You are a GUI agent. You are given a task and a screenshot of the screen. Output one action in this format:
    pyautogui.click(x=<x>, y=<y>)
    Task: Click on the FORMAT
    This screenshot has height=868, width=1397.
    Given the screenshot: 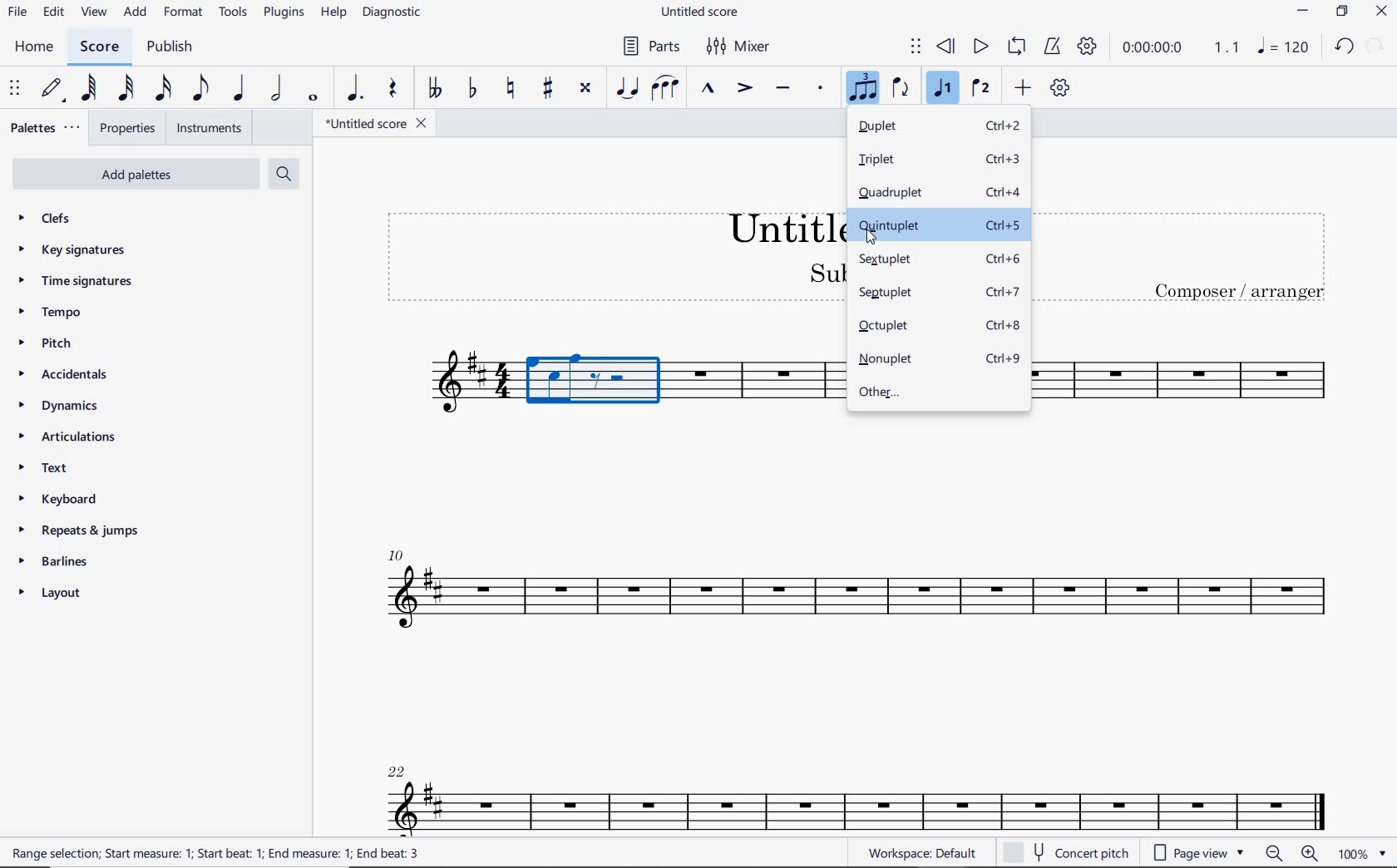 What is the action you would take?
    pyautogui.click(x=184, y=11)
    